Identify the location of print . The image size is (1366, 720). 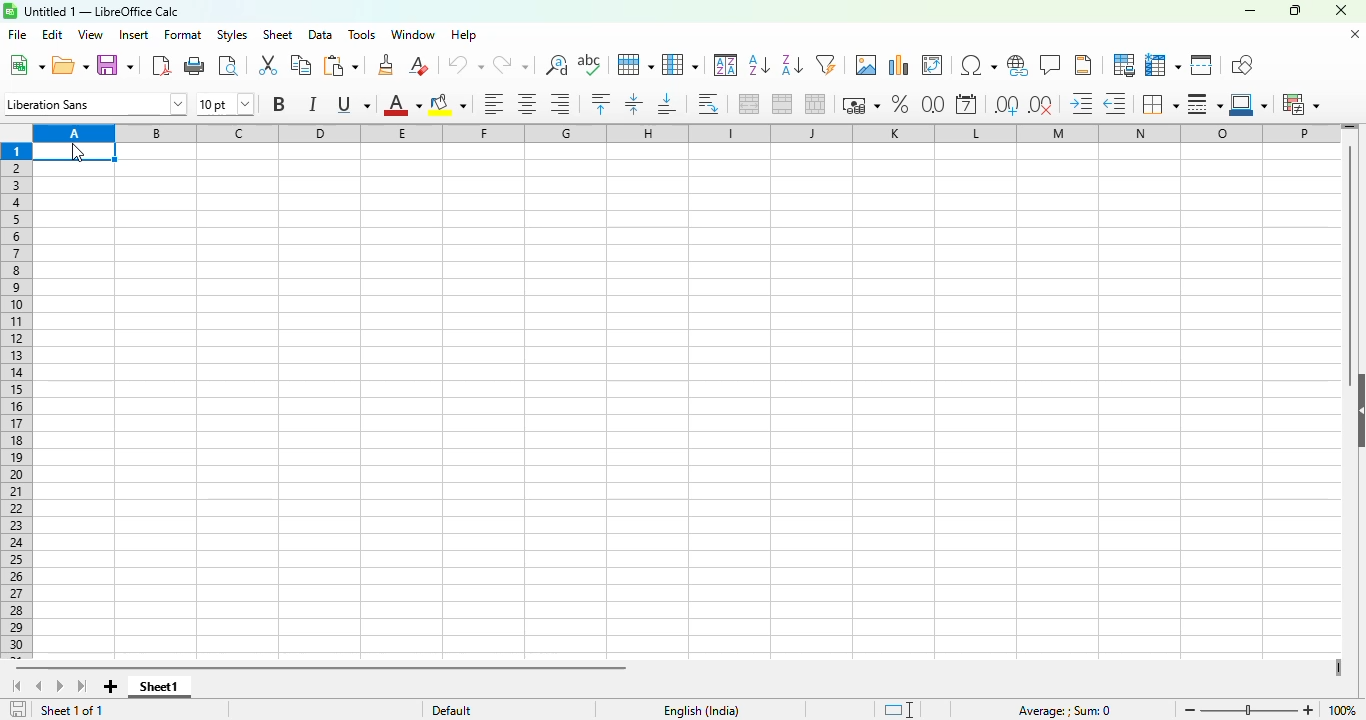
(196, 66).